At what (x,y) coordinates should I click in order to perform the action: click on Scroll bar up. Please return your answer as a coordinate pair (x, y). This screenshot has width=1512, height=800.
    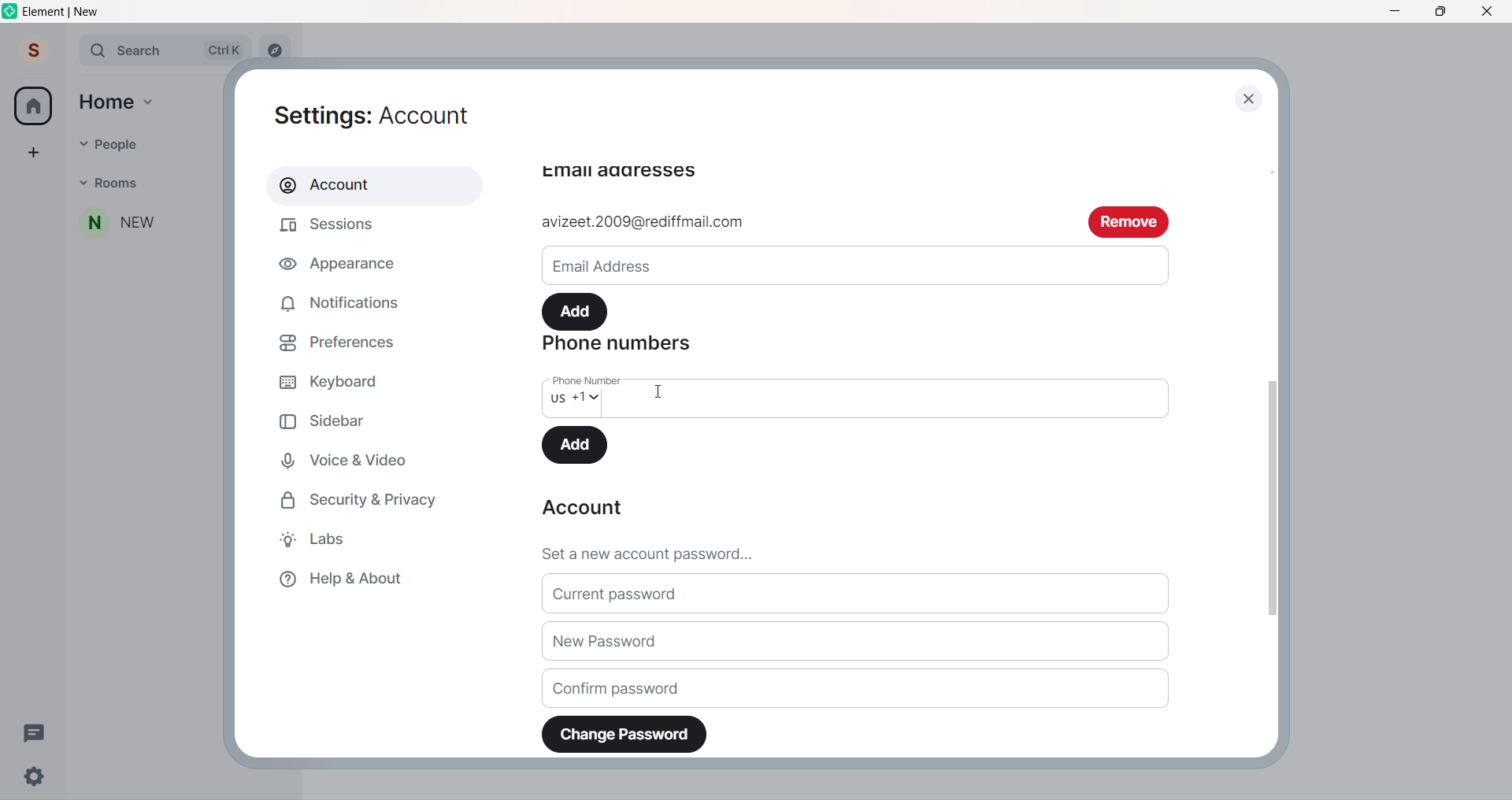
    Looking at the image, I should click on (1269, 169).